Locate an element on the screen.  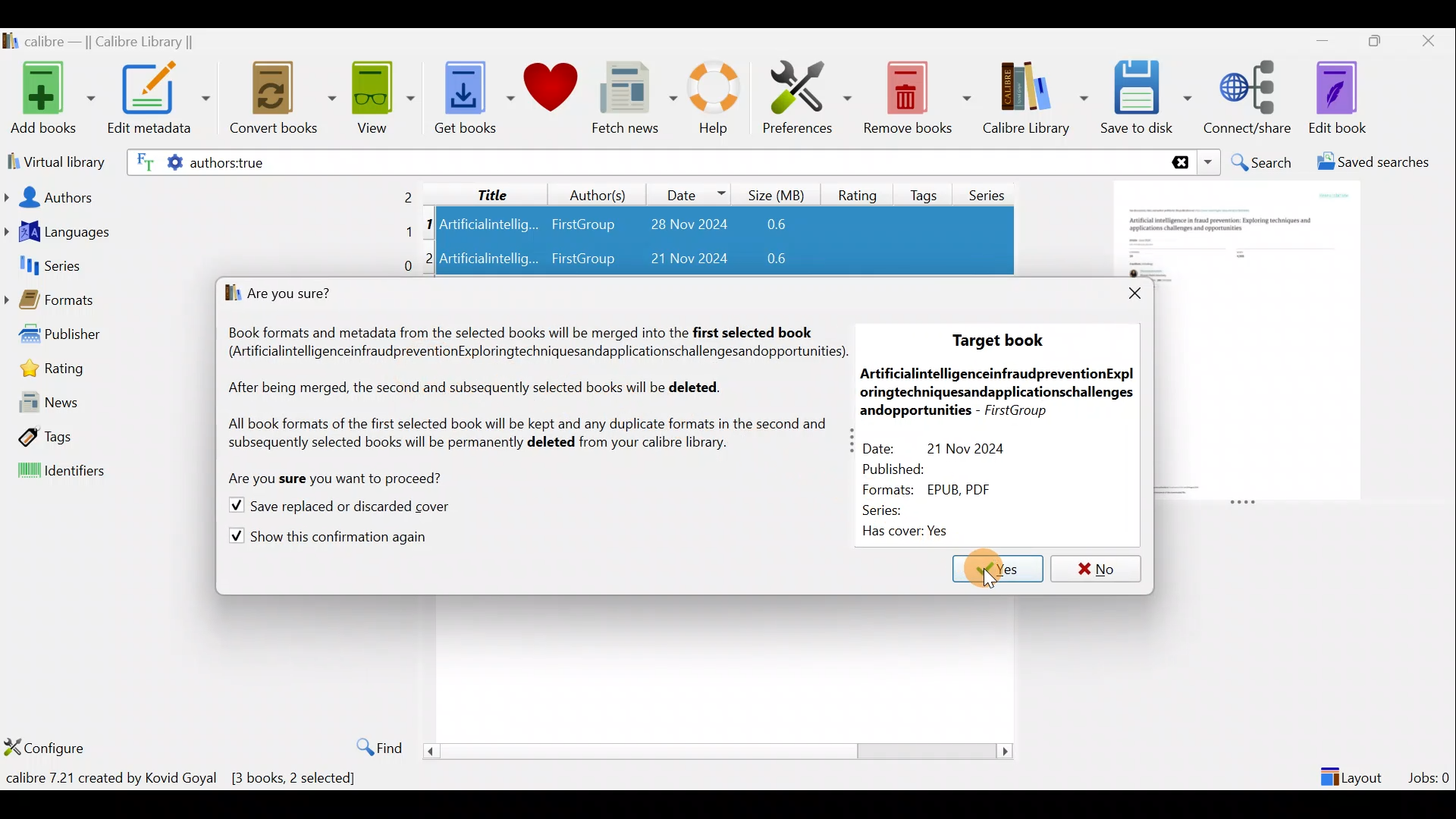
Preferences is located at coordinates (807, 96).